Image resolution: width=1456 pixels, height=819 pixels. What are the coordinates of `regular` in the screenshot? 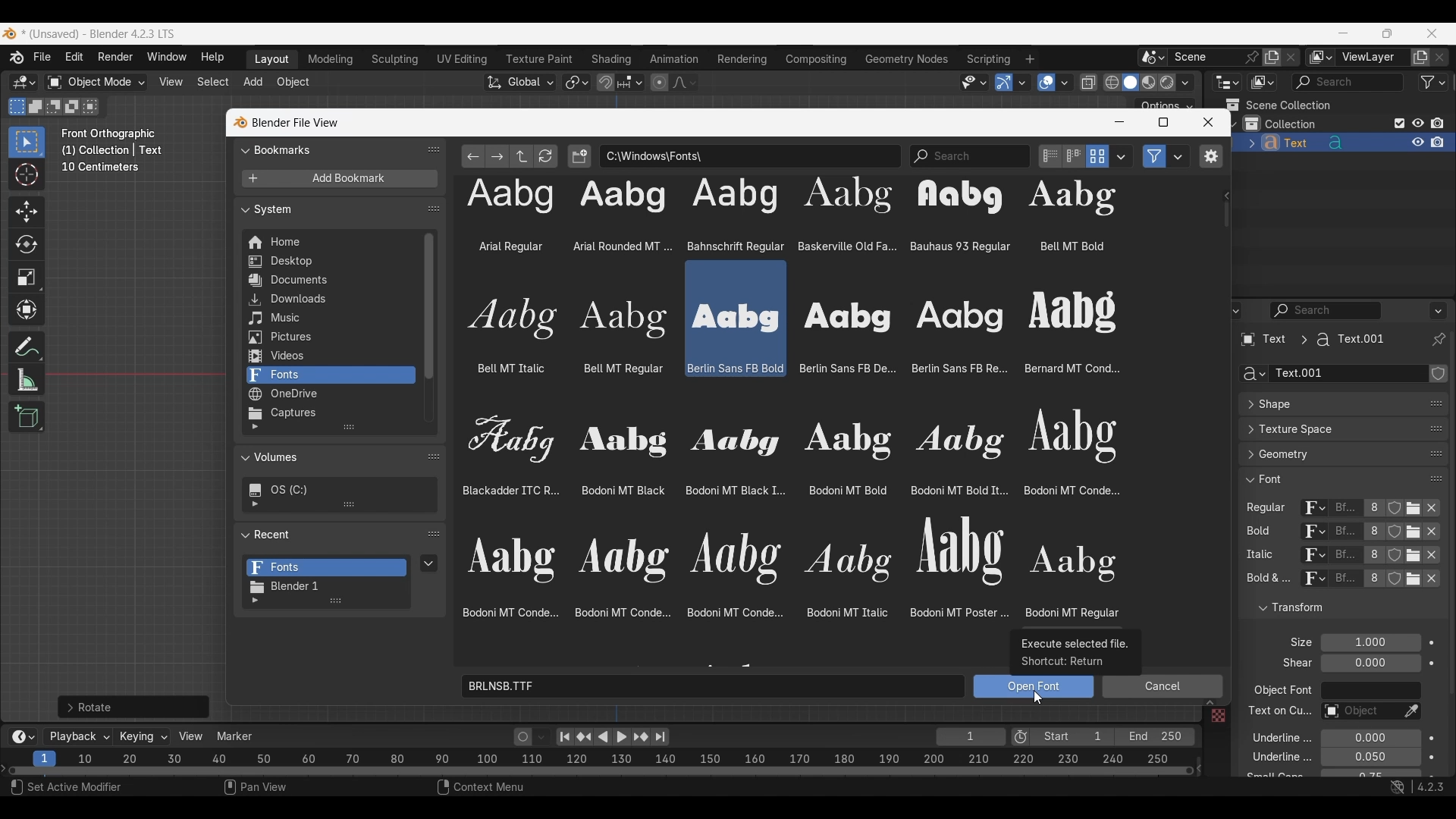 It's located at (1269, 509).